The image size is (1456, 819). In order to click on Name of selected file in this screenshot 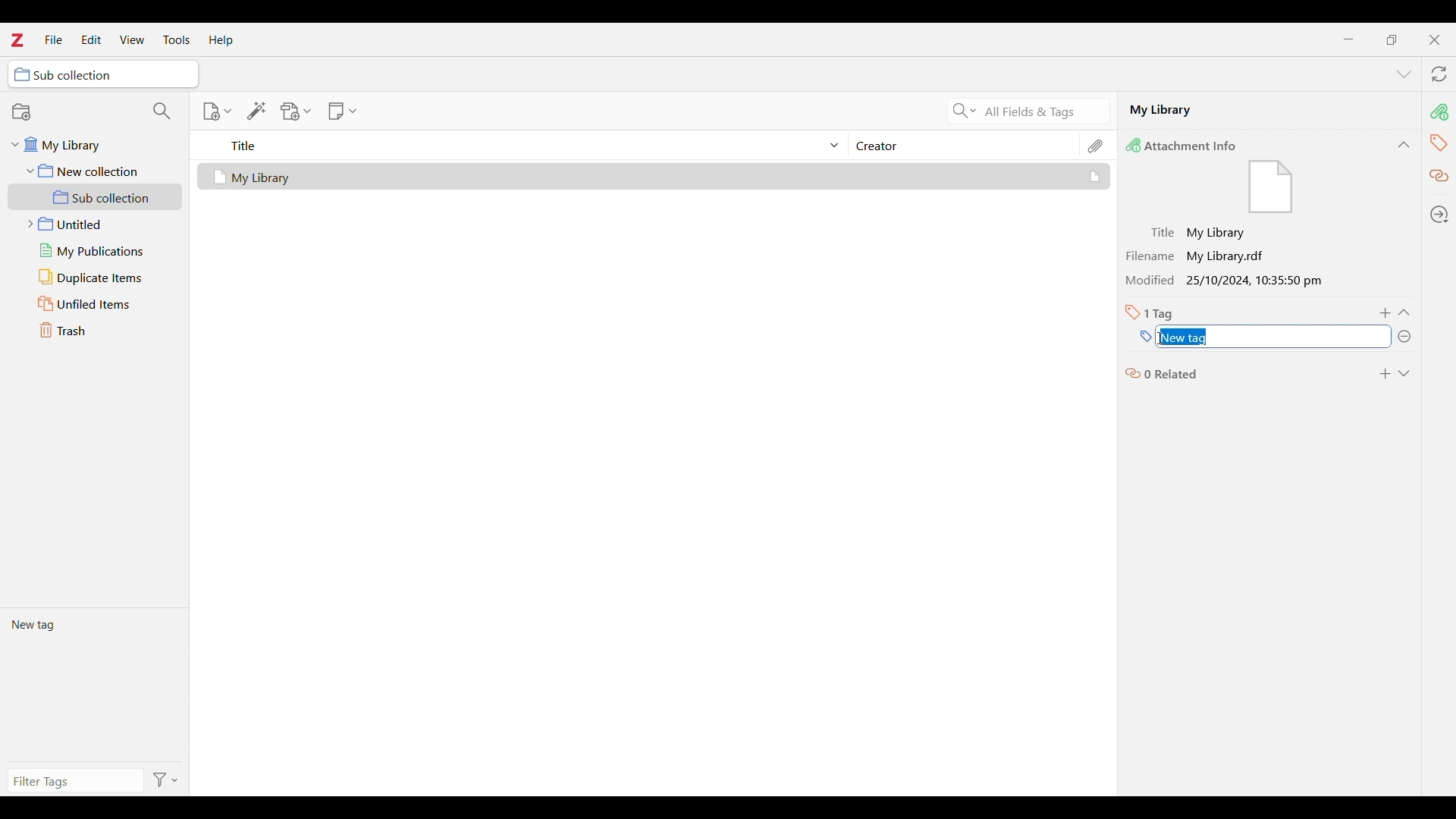, I will do `click(1251, 109)`.